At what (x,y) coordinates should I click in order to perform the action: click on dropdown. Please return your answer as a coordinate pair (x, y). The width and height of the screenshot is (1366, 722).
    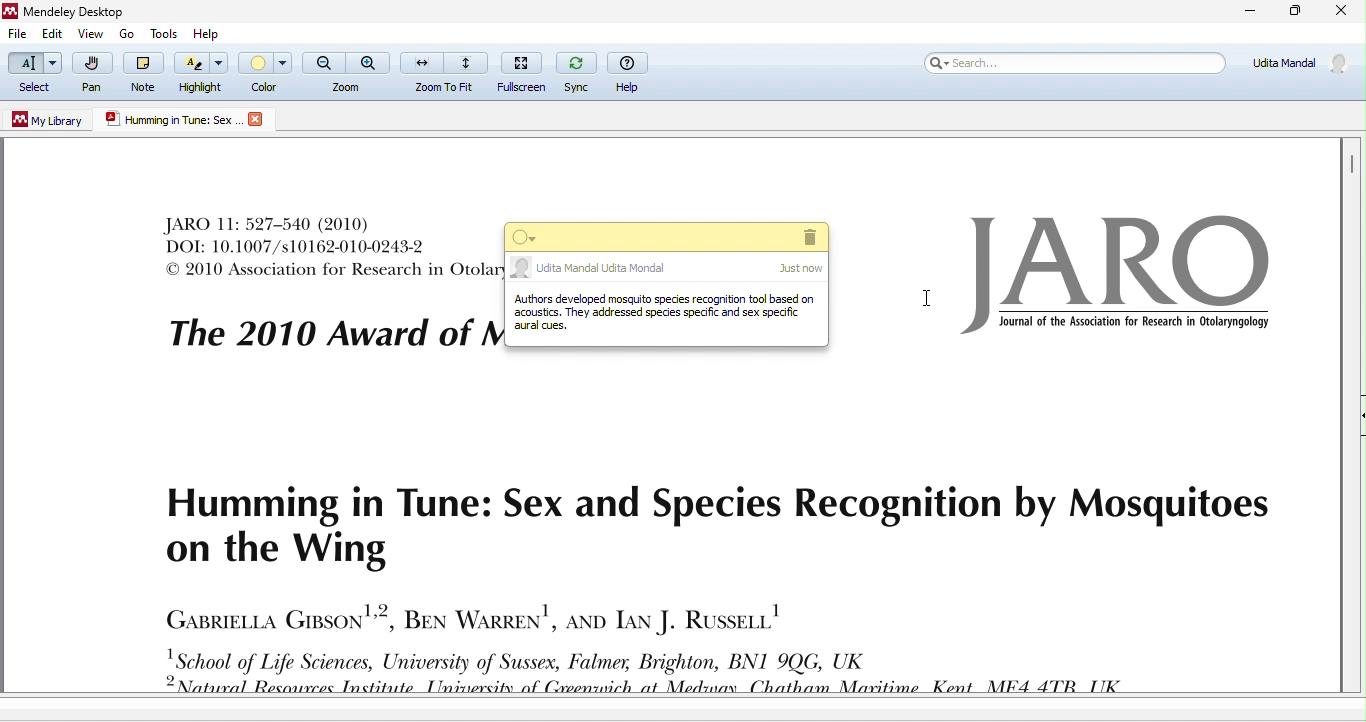
    Looking at the image, I should click on (527, 237).